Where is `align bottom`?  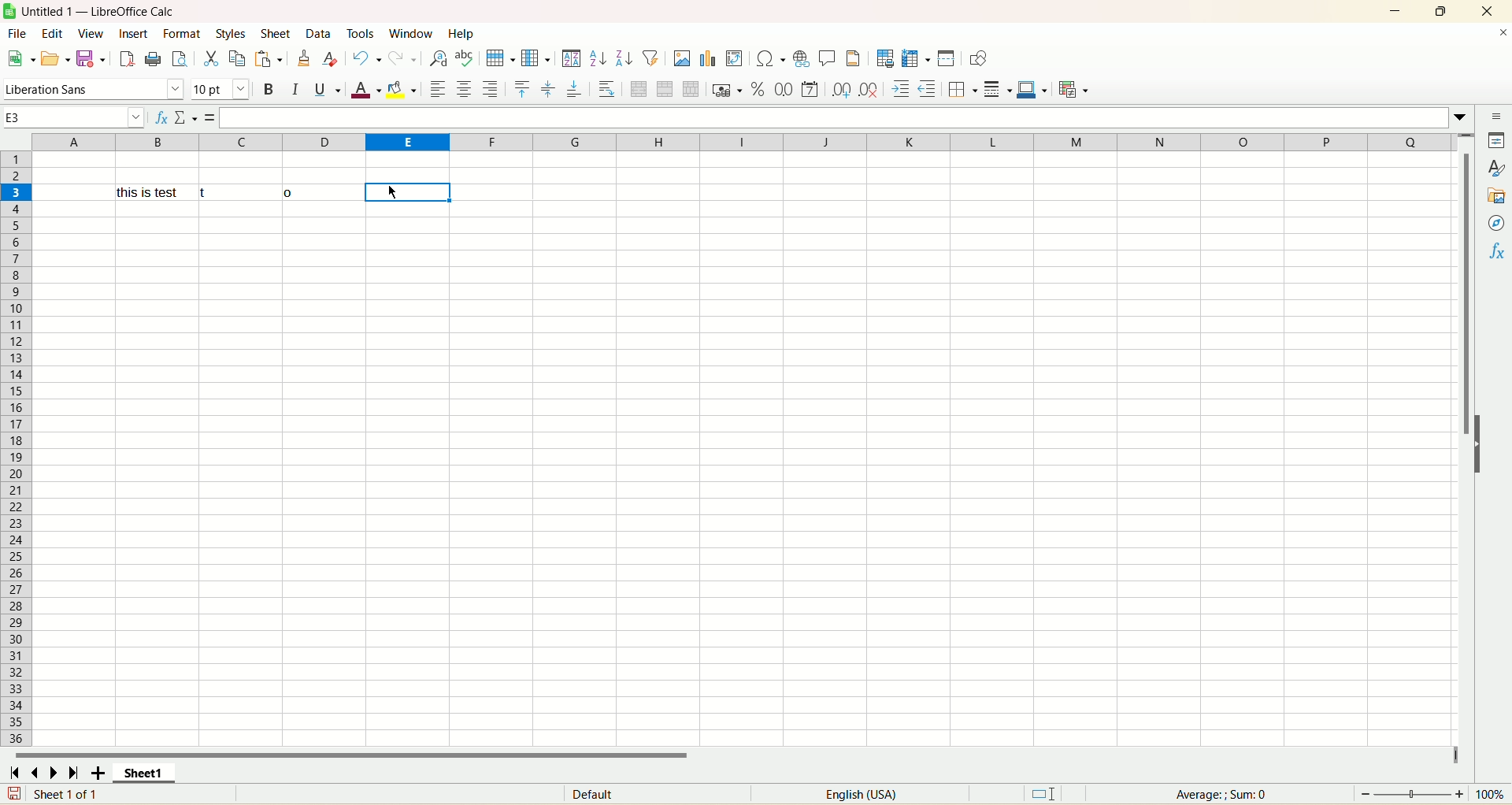
align bottom is located at coordinates (577, 89).